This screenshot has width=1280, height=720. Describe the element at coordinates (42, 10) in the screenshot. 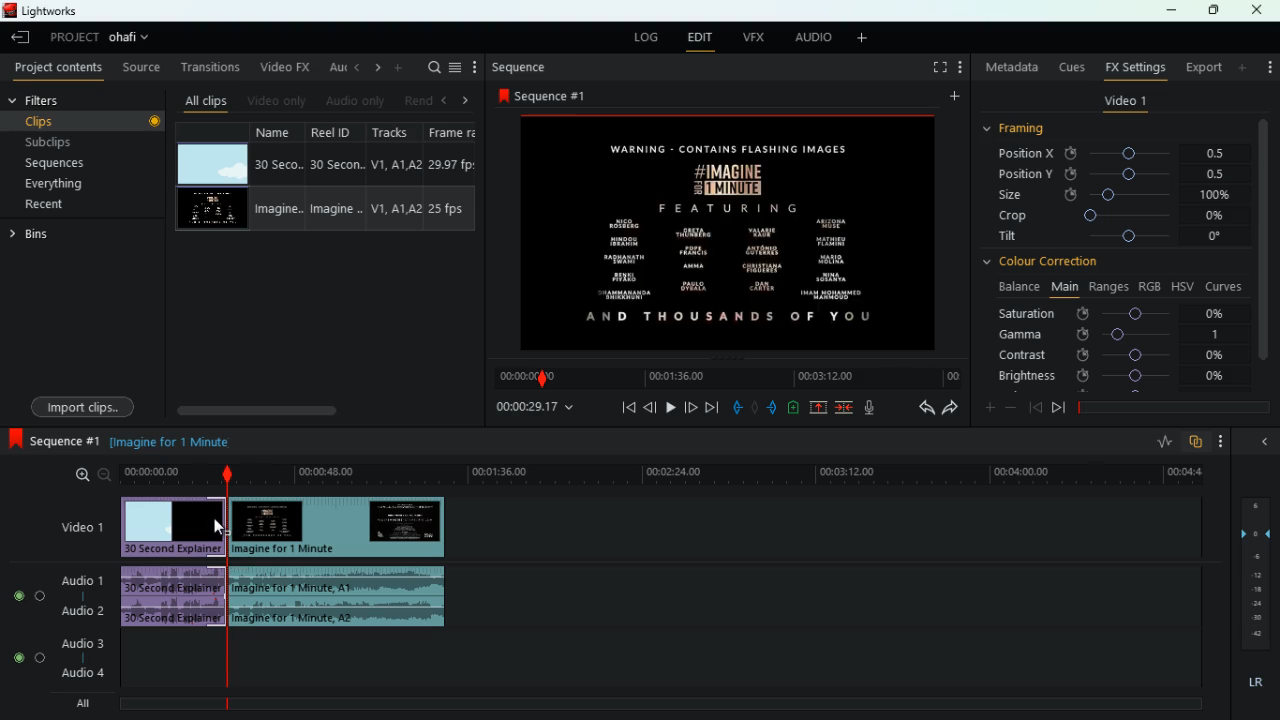

I see `lightworks` at that location.